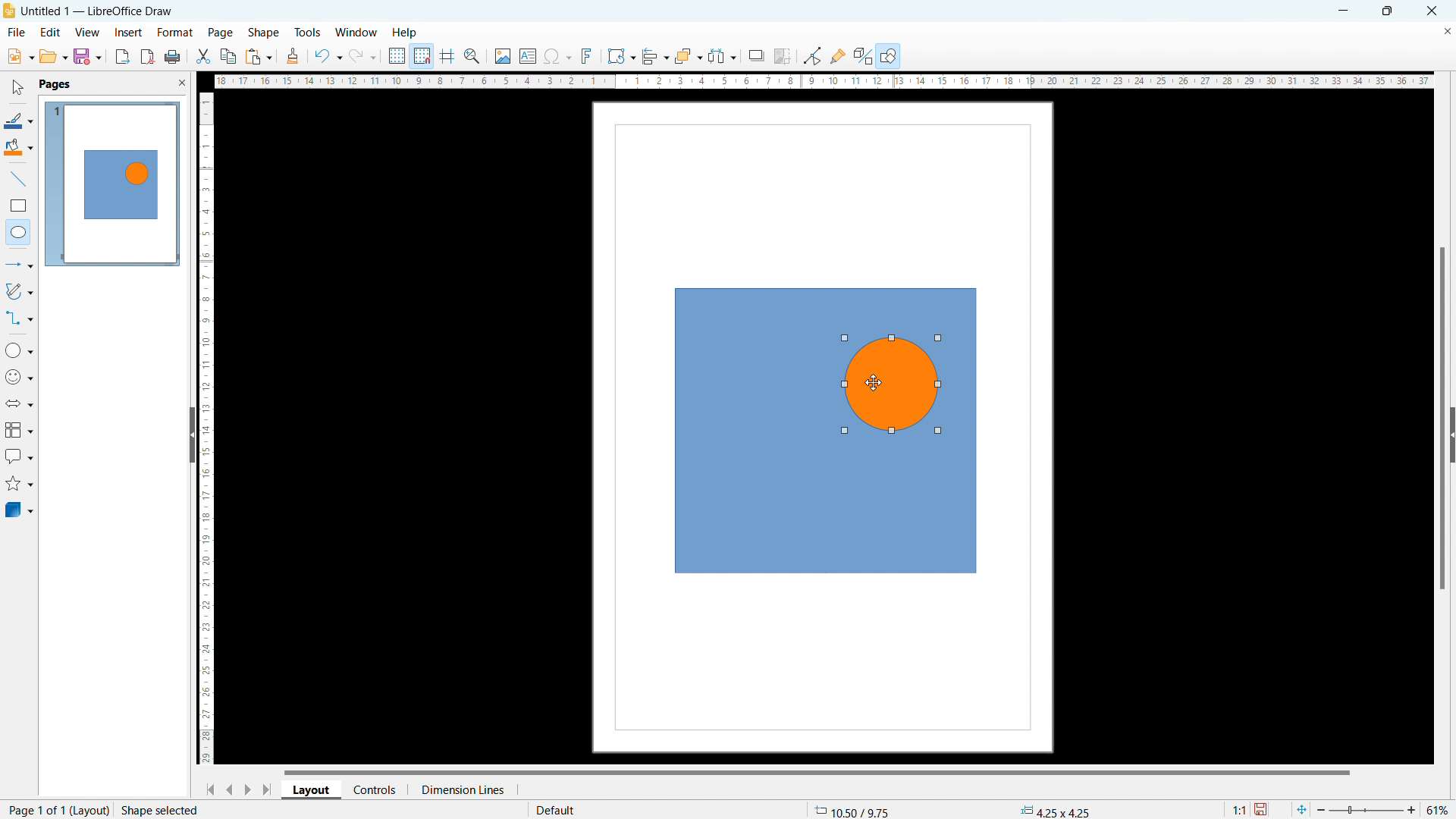 The height and width of the screenshot is (819, 1456). What do you see at coordinates (721, 57) in the screenshot?
I see `select at least three objects to distributw` at bounding box center [721, 57].